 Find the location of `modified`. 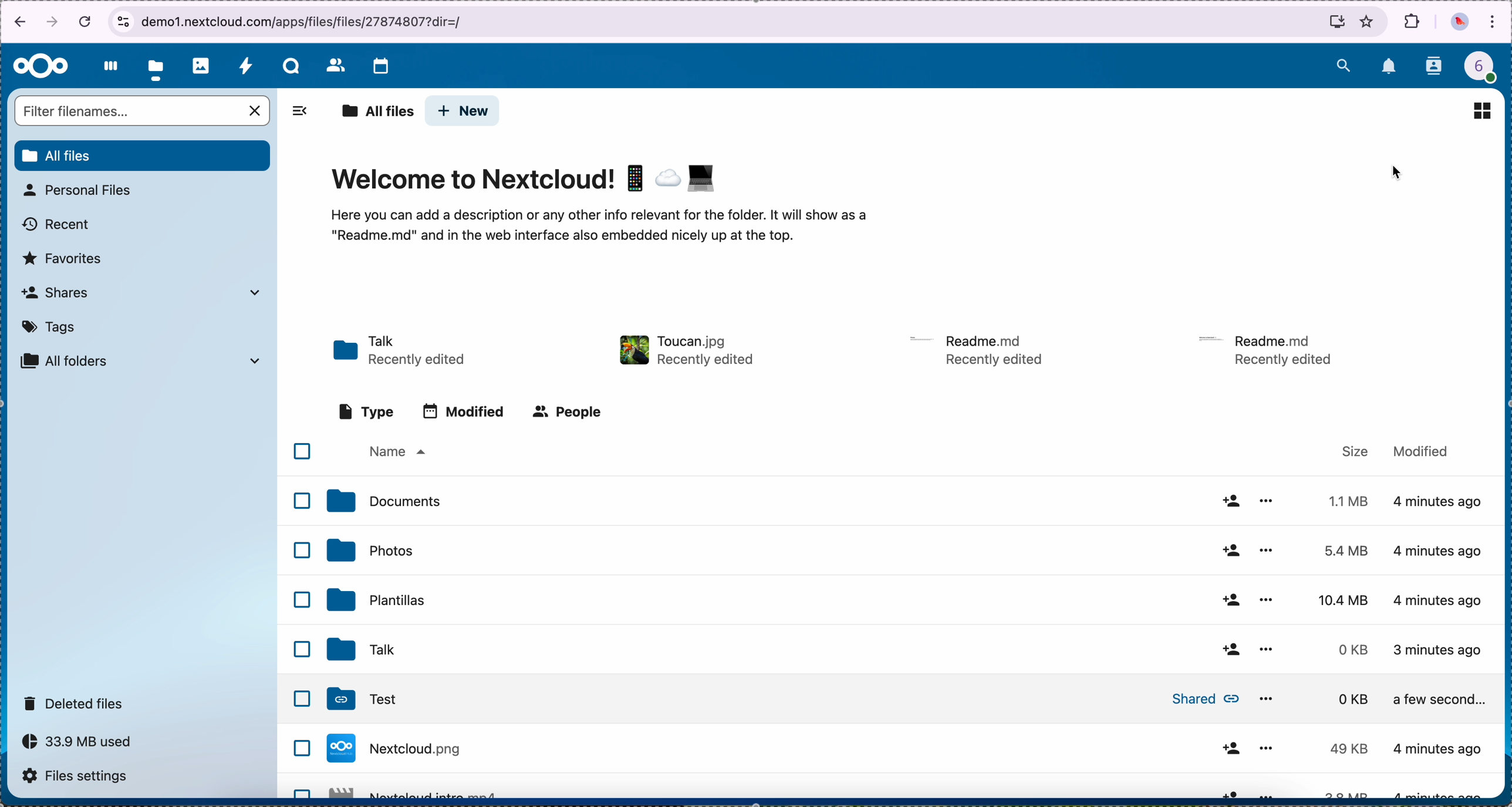

modified is located at coordinates (1421, 450).